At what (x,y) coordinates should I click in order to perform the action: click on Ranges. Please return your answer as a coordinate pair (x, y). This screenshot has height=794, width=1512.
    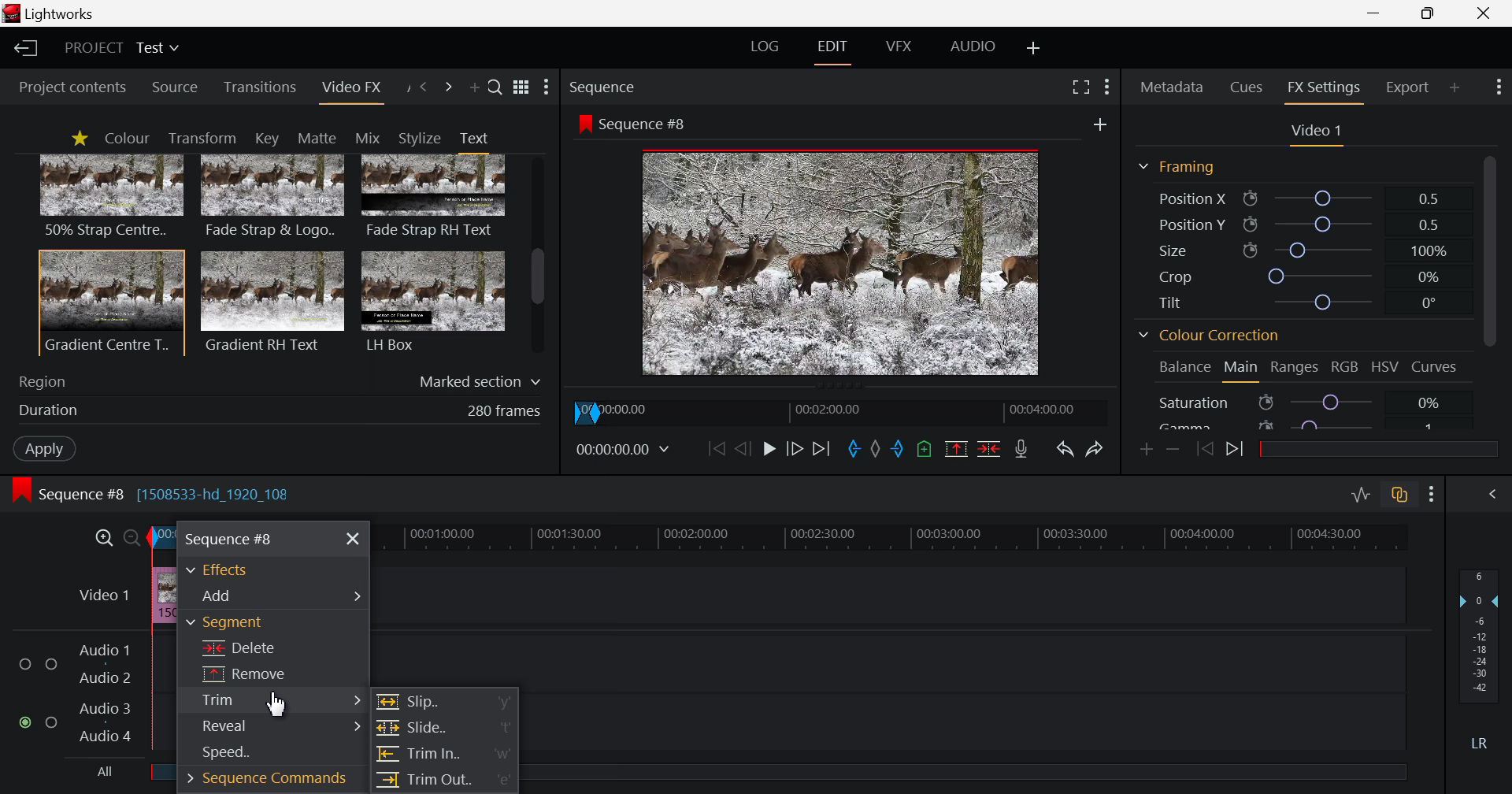
    Looking at the image, I should click on (1293, 371).